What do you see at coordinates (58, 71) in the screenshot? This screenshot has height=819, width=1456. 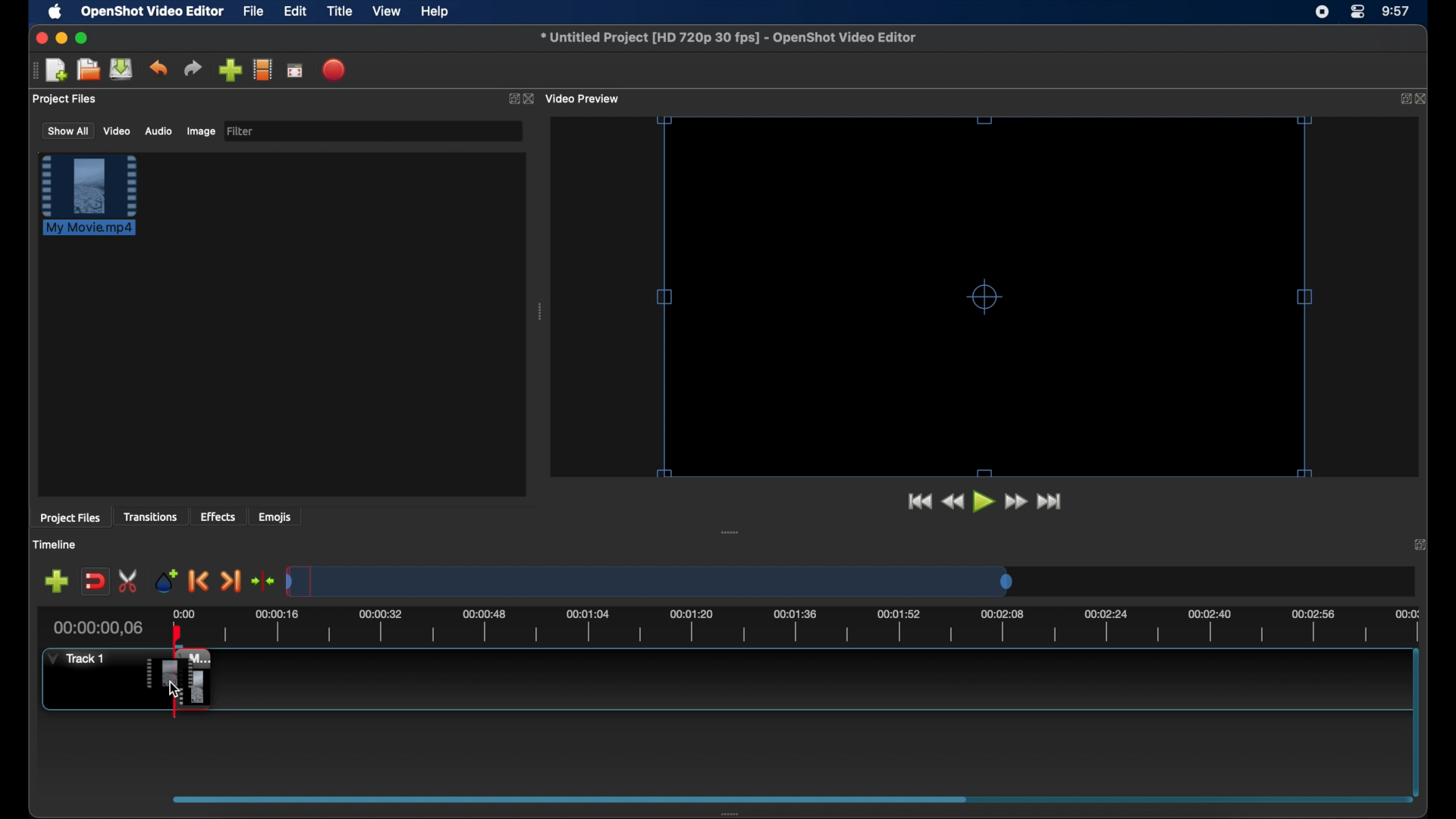 I see `new project` at bounding box center [58, 71].